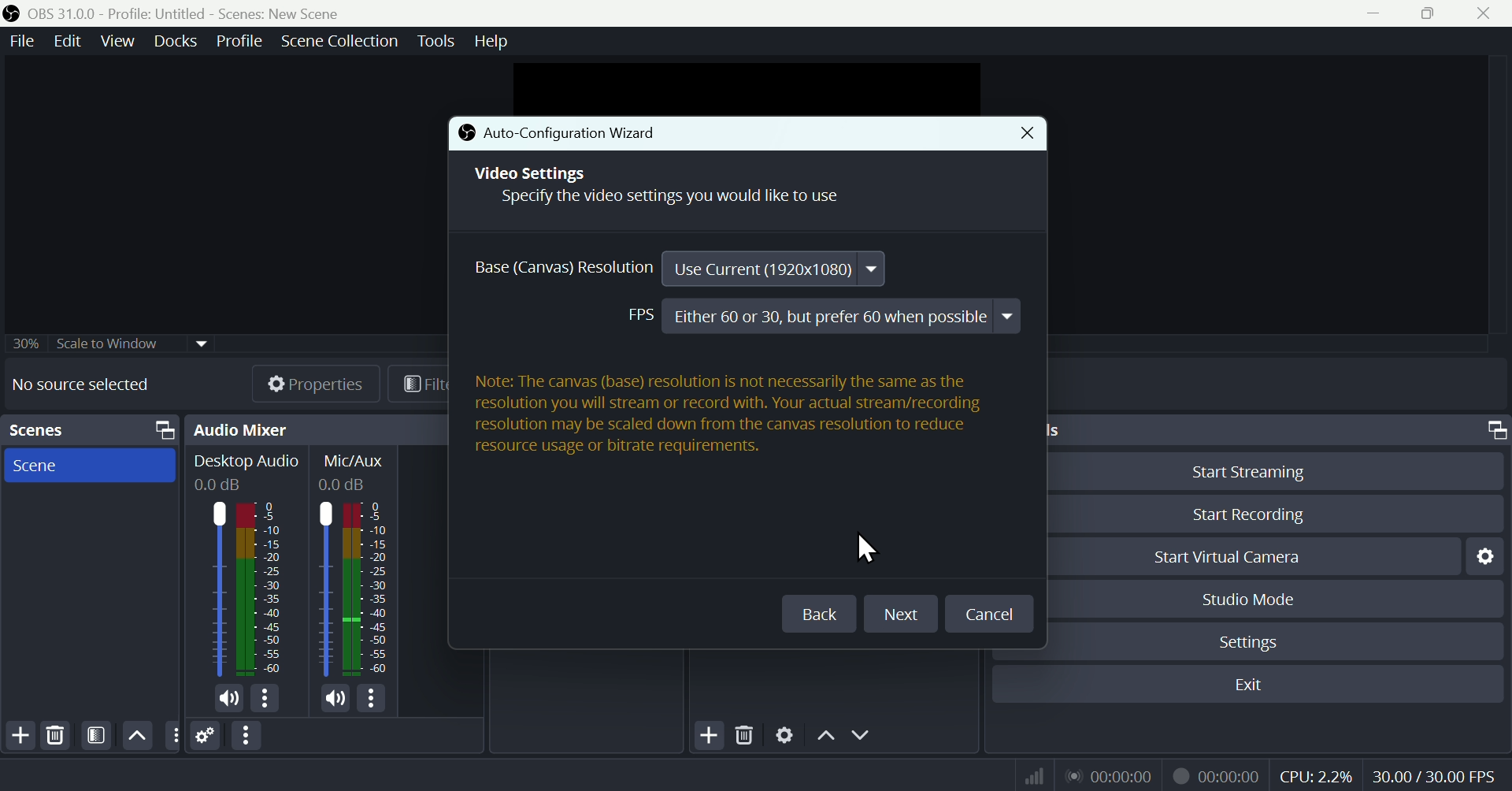 The image size is (1512, 791). What do you see at coordinates (370, 698) in the screenshot?
I see `options` at bounding box center [370, 698].